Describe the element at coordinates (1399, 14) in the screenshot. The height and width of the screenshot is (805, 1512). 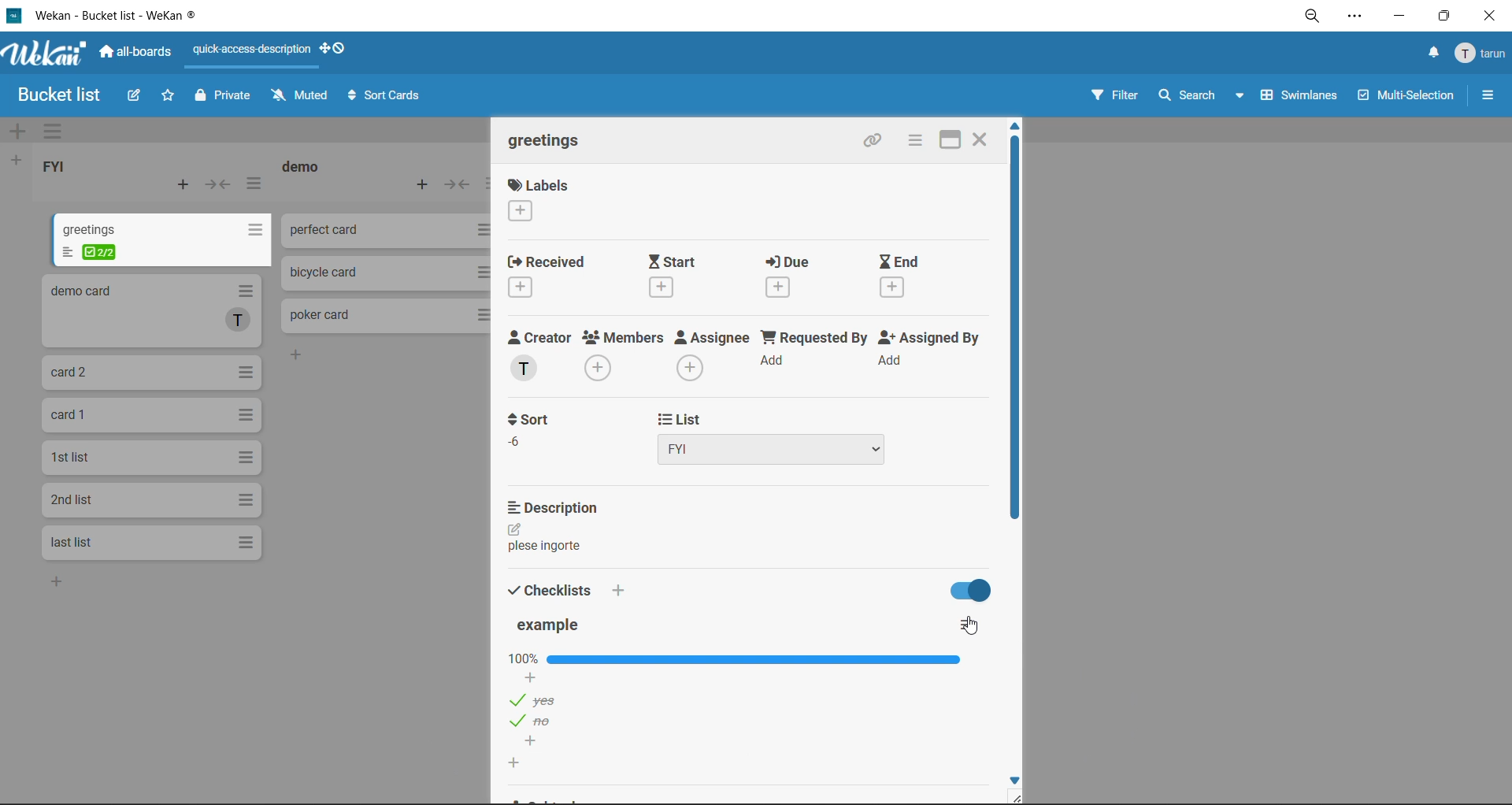
I see `minimize` at that location.